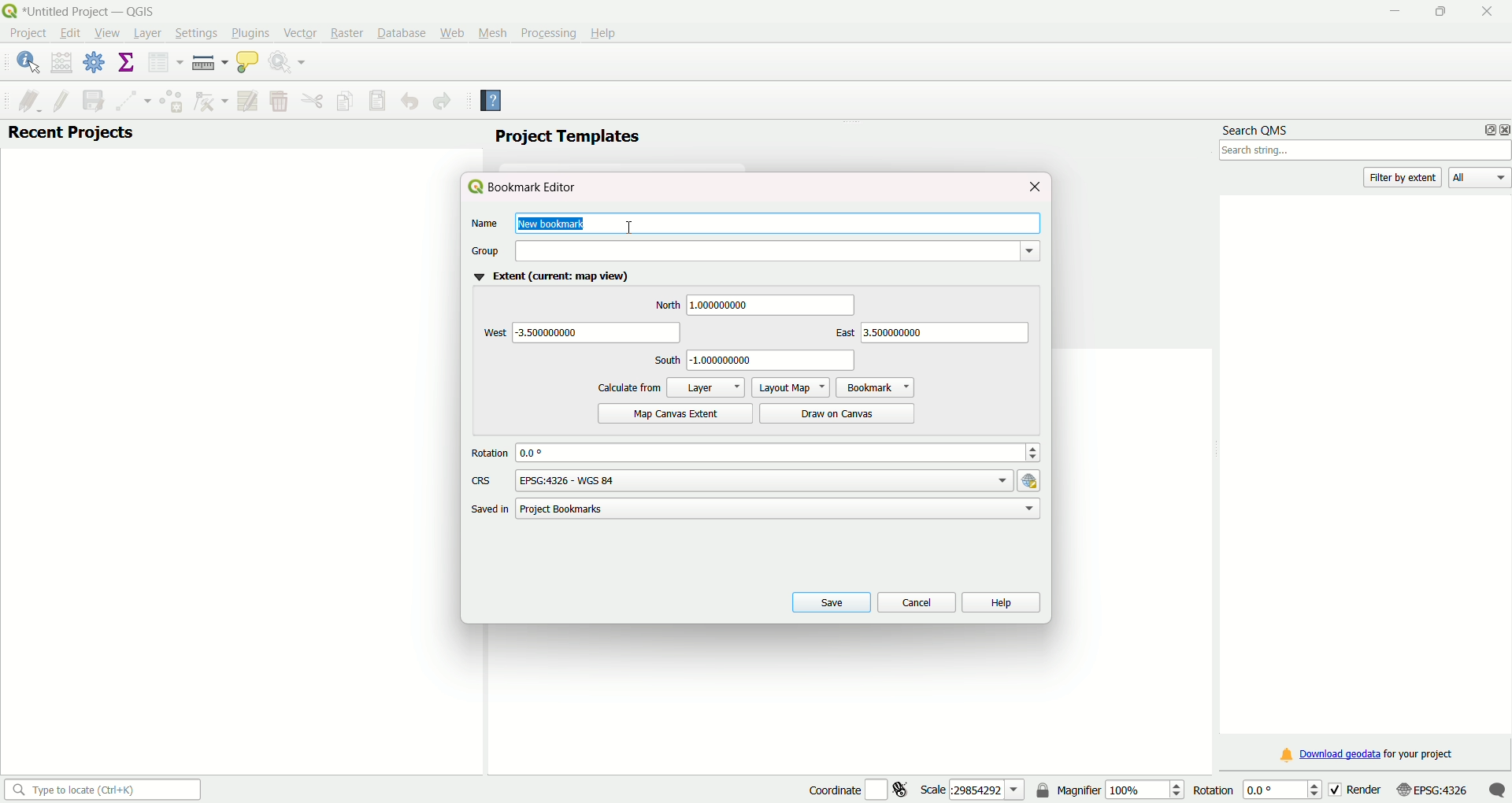 Image resolution: width=1512 pixels, height=803 pixels. I want to click on Cursor, so click(113, 37).